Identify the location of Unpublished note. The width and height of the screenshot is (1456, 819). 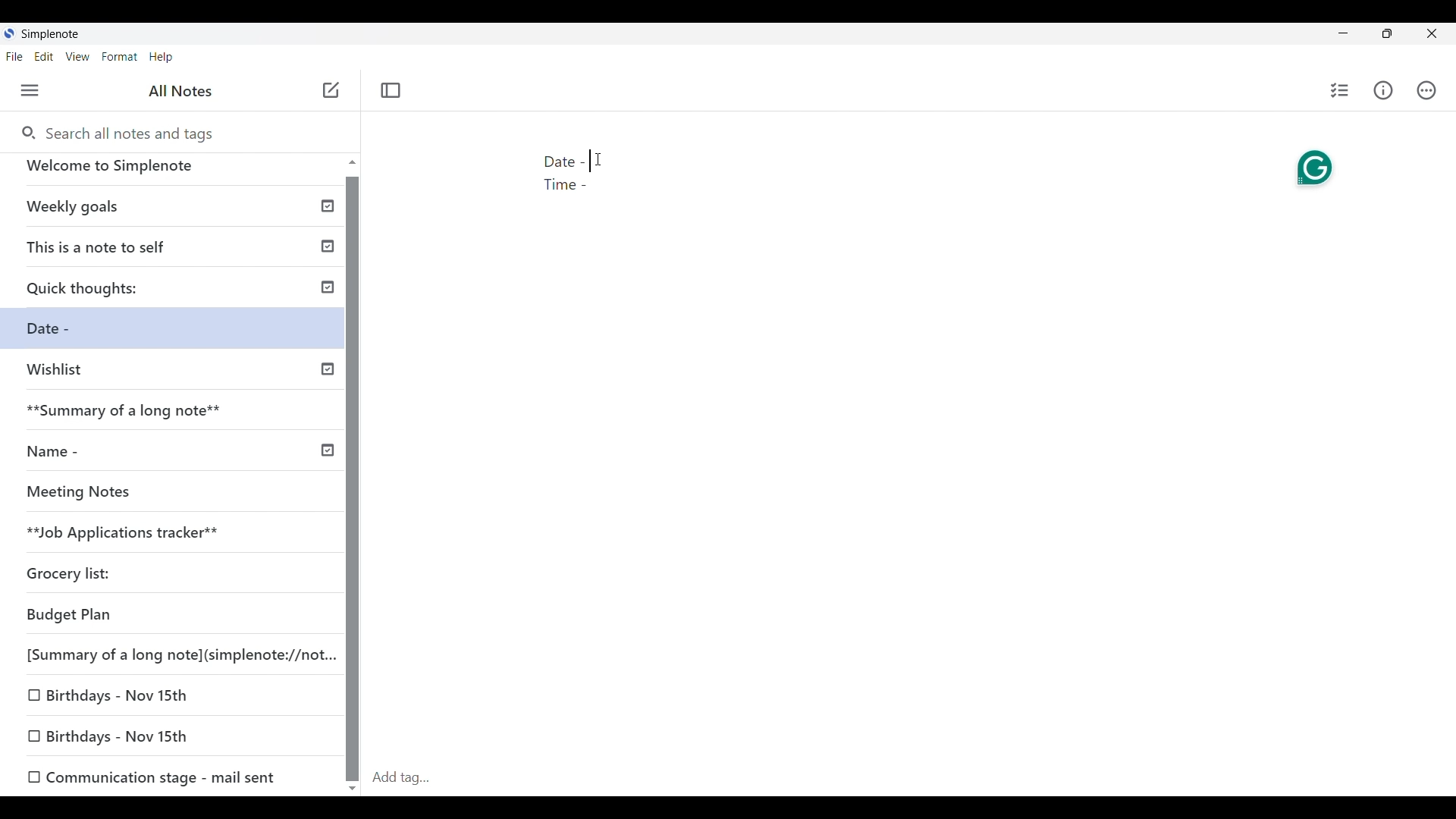
(75, 576).